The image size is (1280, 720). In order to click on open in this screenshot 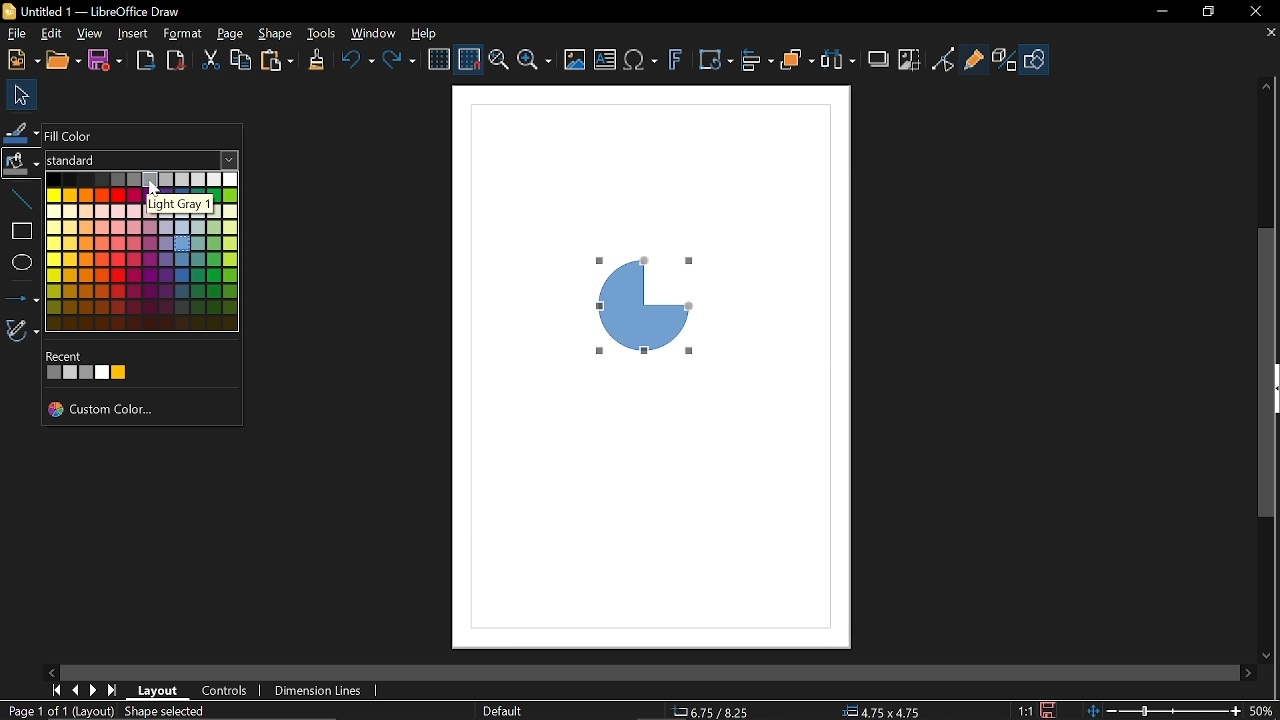, I will do `click(63, 60)`.